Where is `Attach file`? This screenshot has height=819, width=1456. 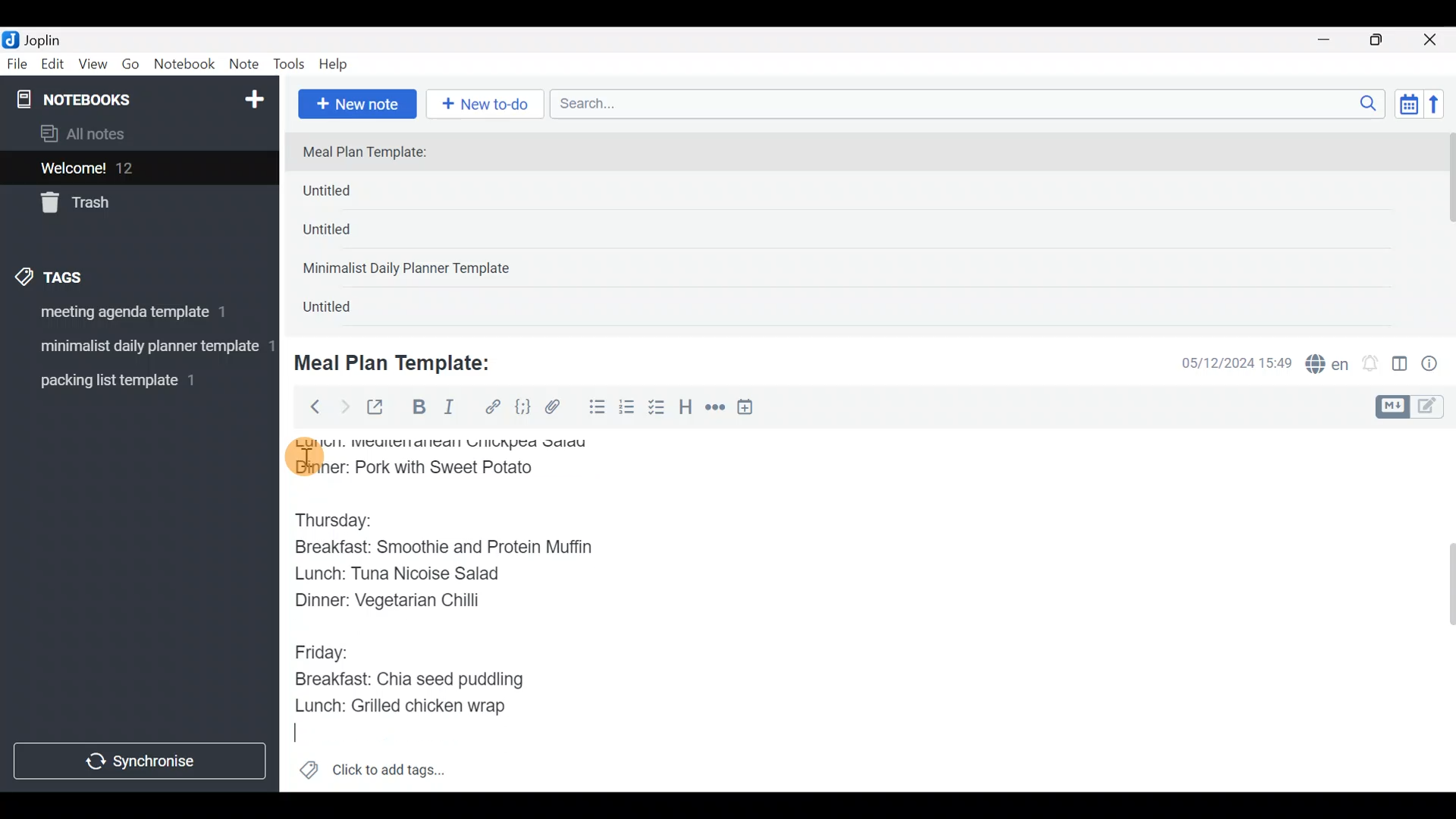
Attach file is located at coordinates (557, 409).